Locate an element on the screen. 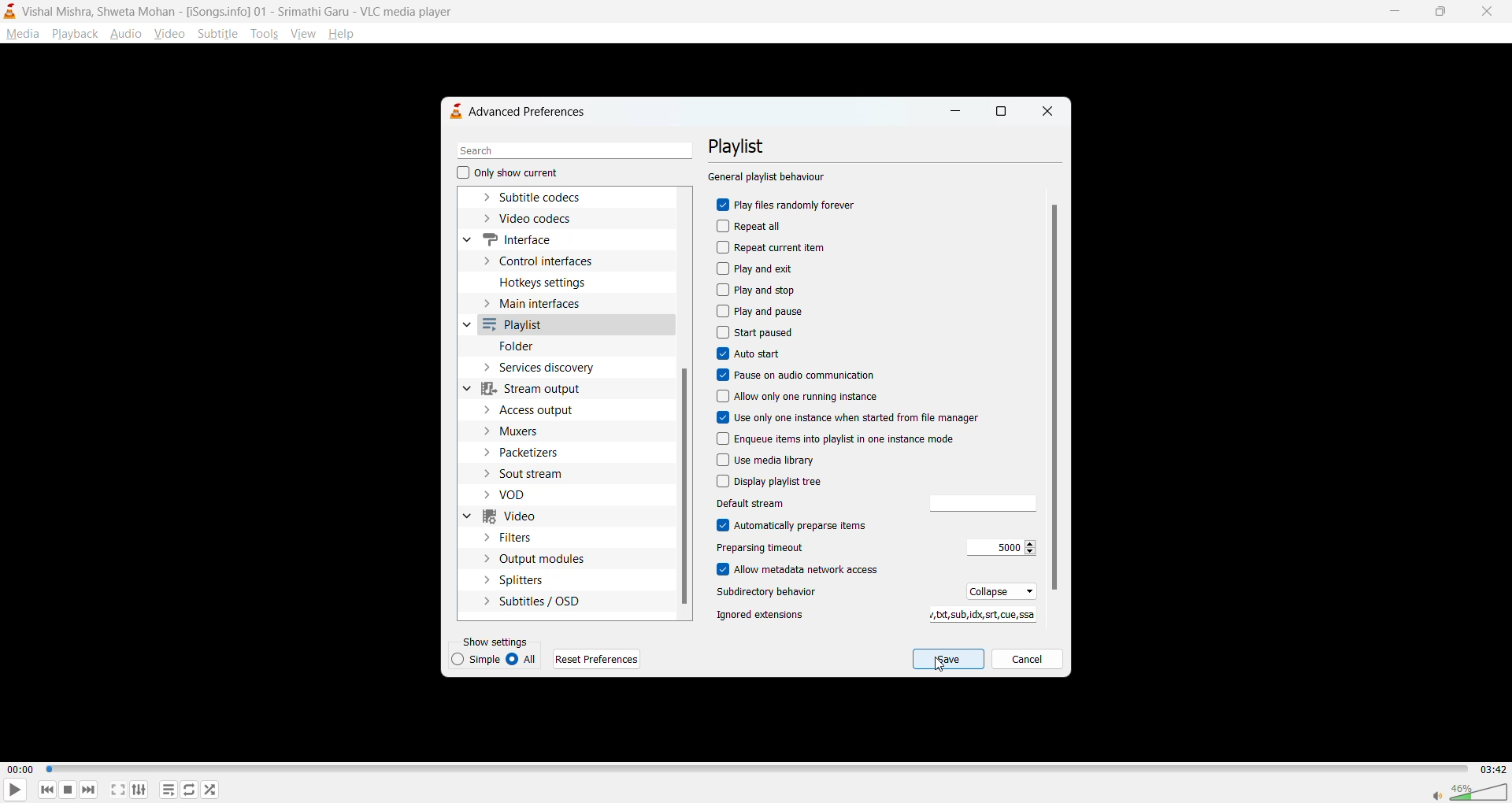 The width and height of the screenshot is (1512, 803). view is located at coordinates (302, 31).